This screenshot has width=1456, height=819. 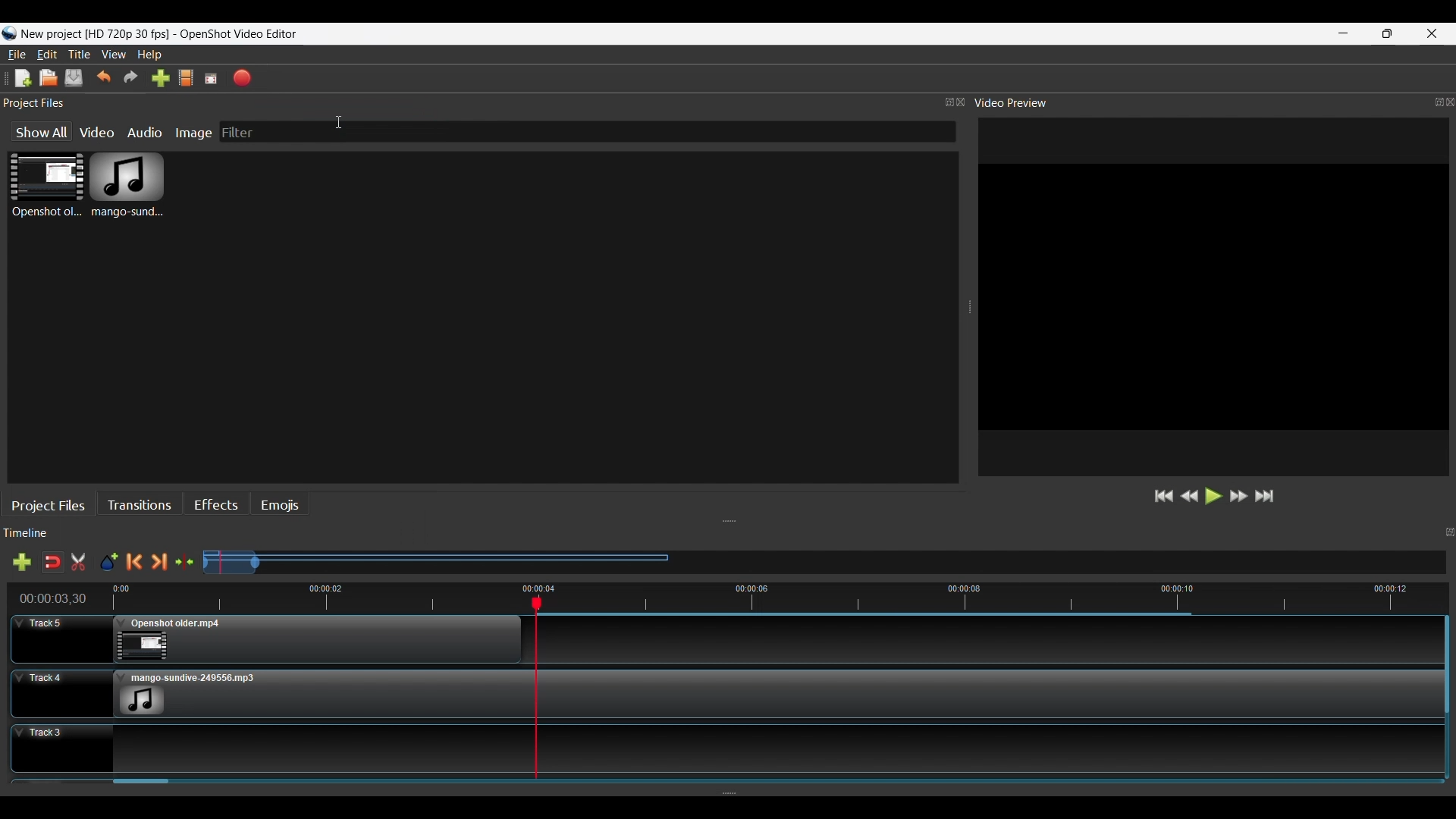 I want to click on Fast Forward, so click(x=1239, y=495).